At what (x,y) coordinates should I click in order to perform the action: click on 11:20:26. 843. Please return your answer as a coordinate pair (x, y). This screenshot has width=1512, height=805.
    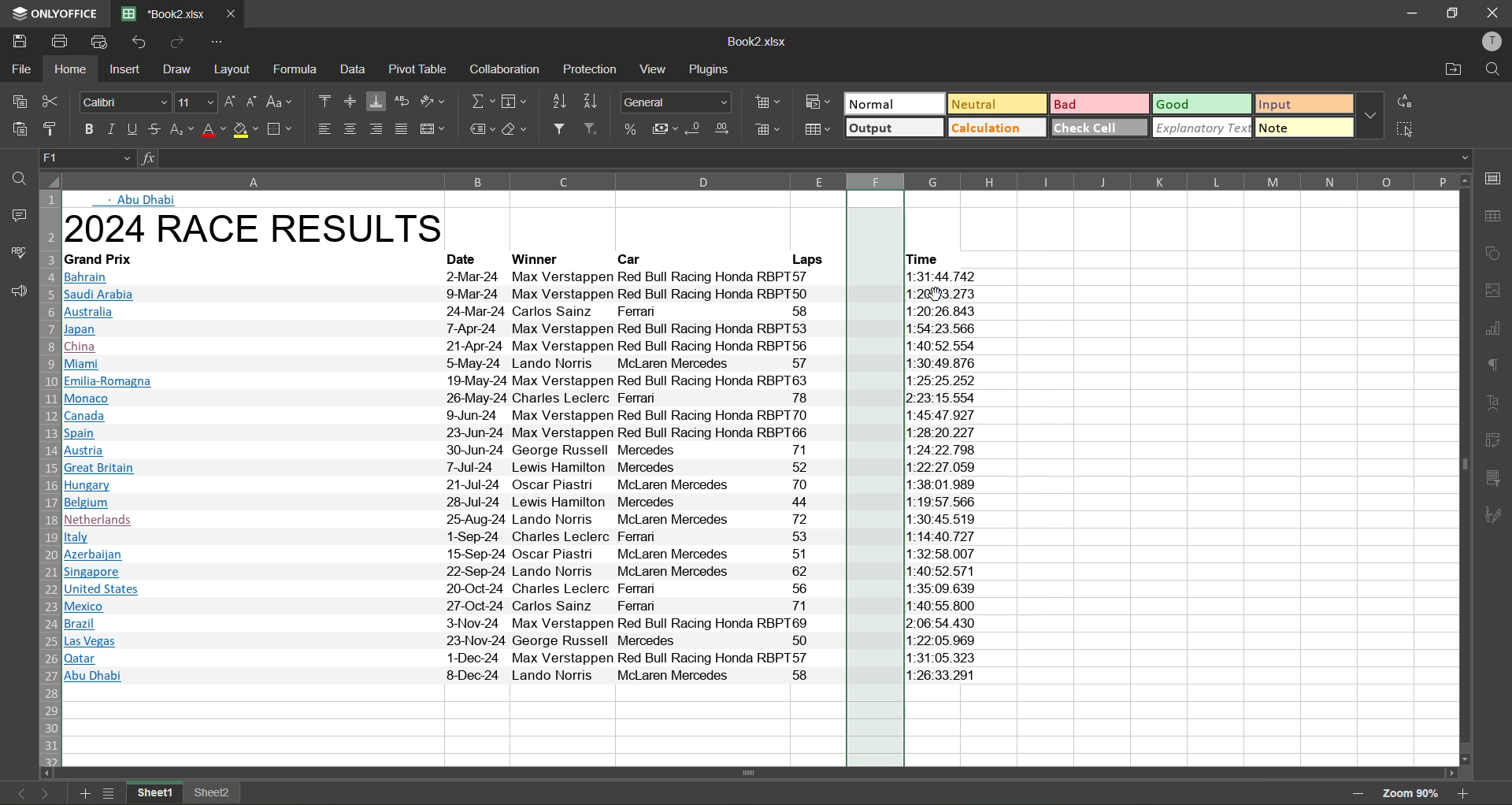
    Looking at the image, I should click on (946, 311).